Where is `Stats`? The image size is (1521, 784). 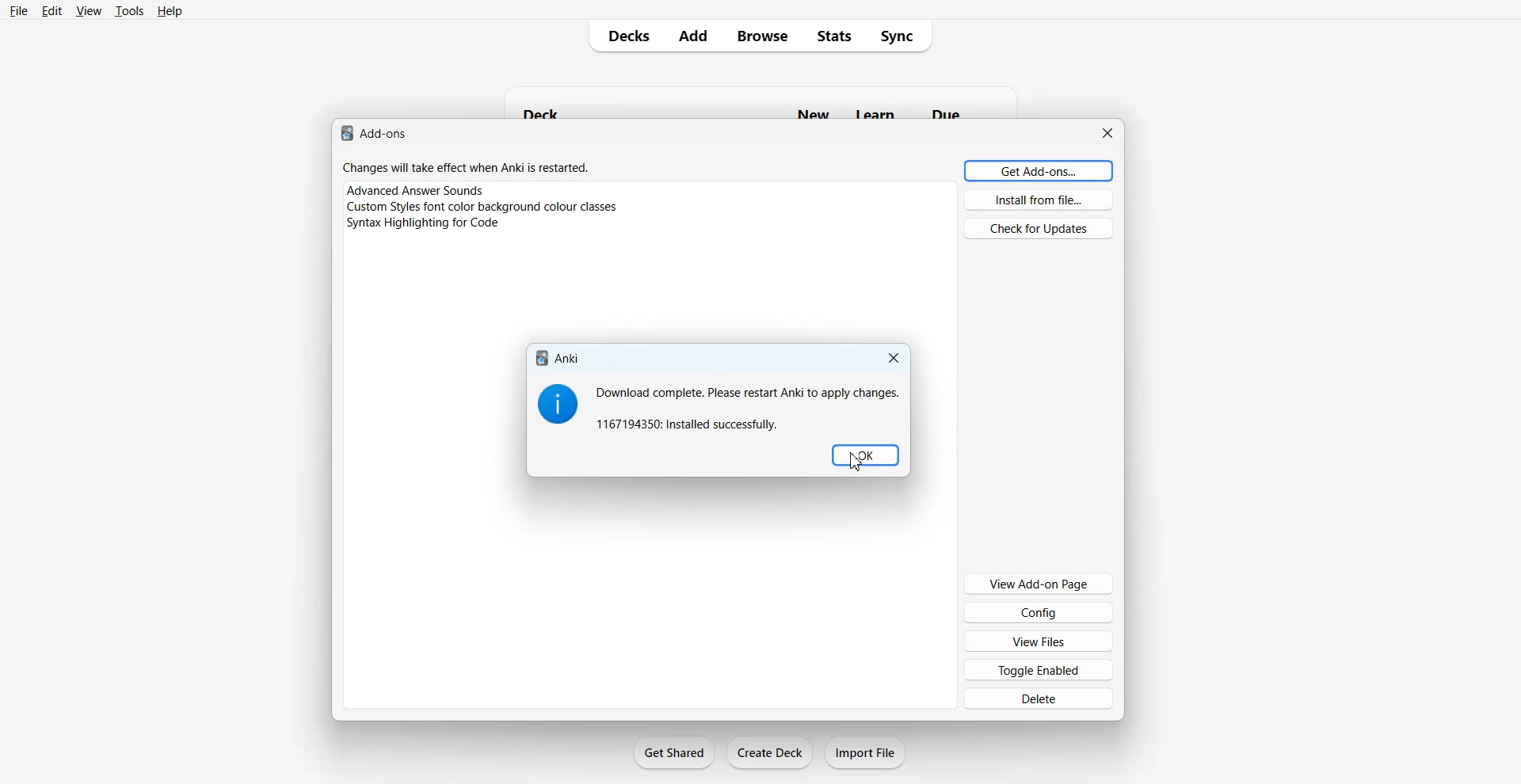
Stats is located at coordinates (834, 36).